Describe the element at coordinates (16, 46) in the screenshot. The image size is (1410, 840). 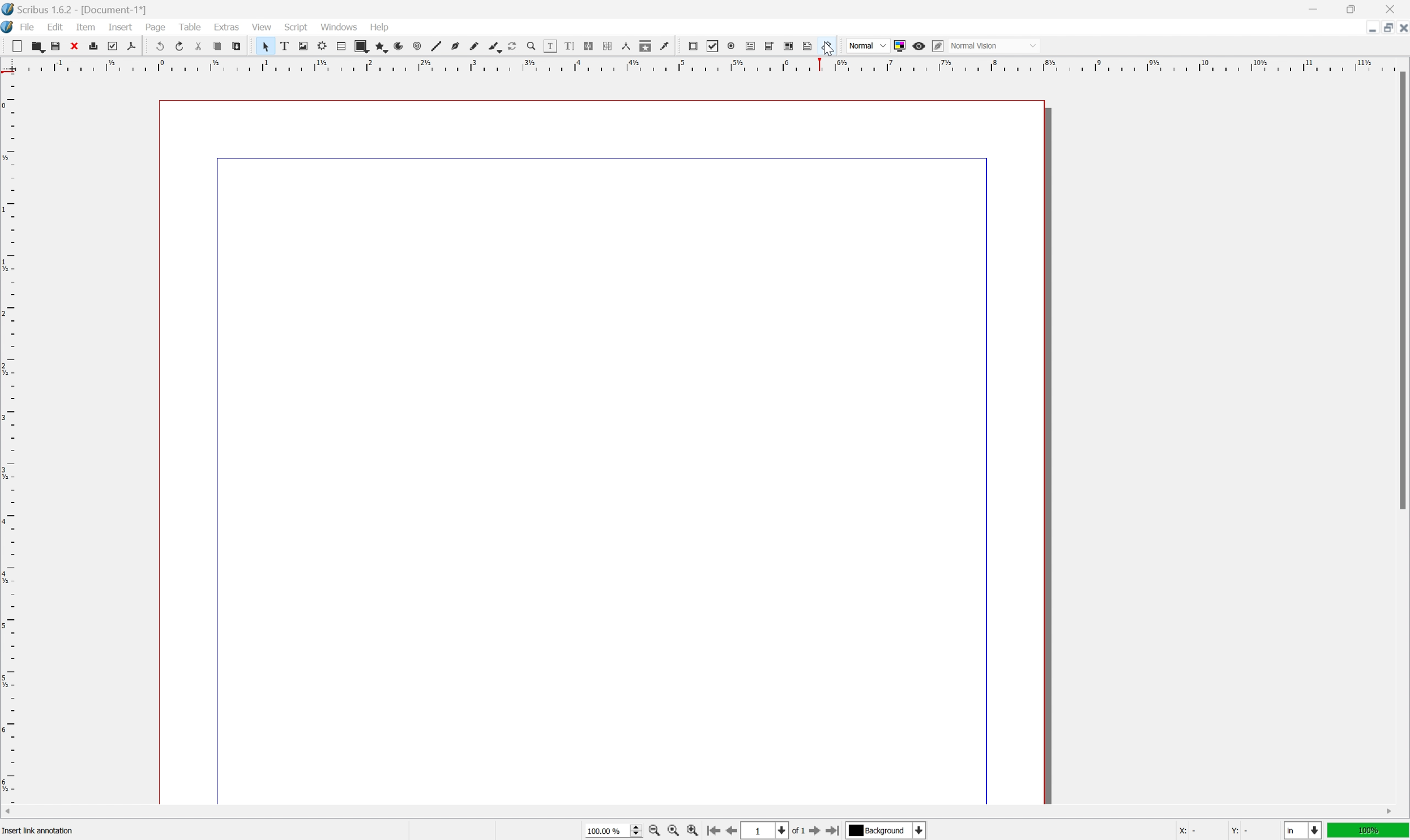
I see `new` at that location.